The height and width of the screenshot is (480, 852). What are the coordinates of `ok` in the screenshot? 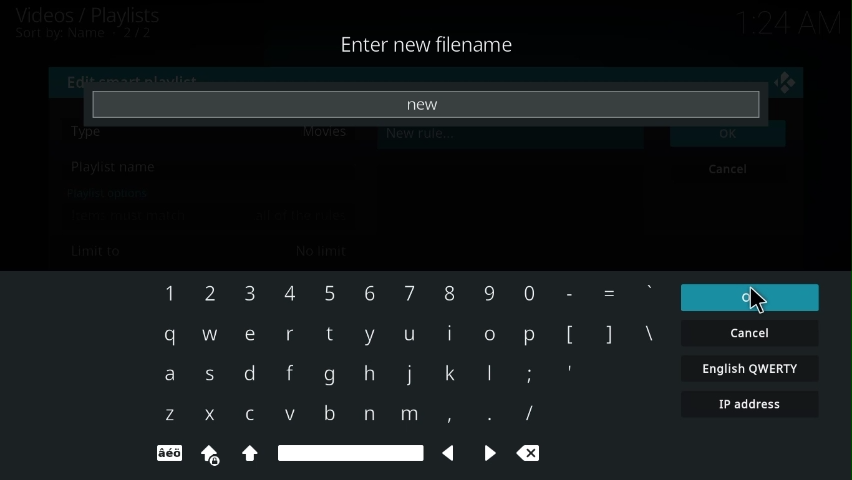 It's located at (731, 133).